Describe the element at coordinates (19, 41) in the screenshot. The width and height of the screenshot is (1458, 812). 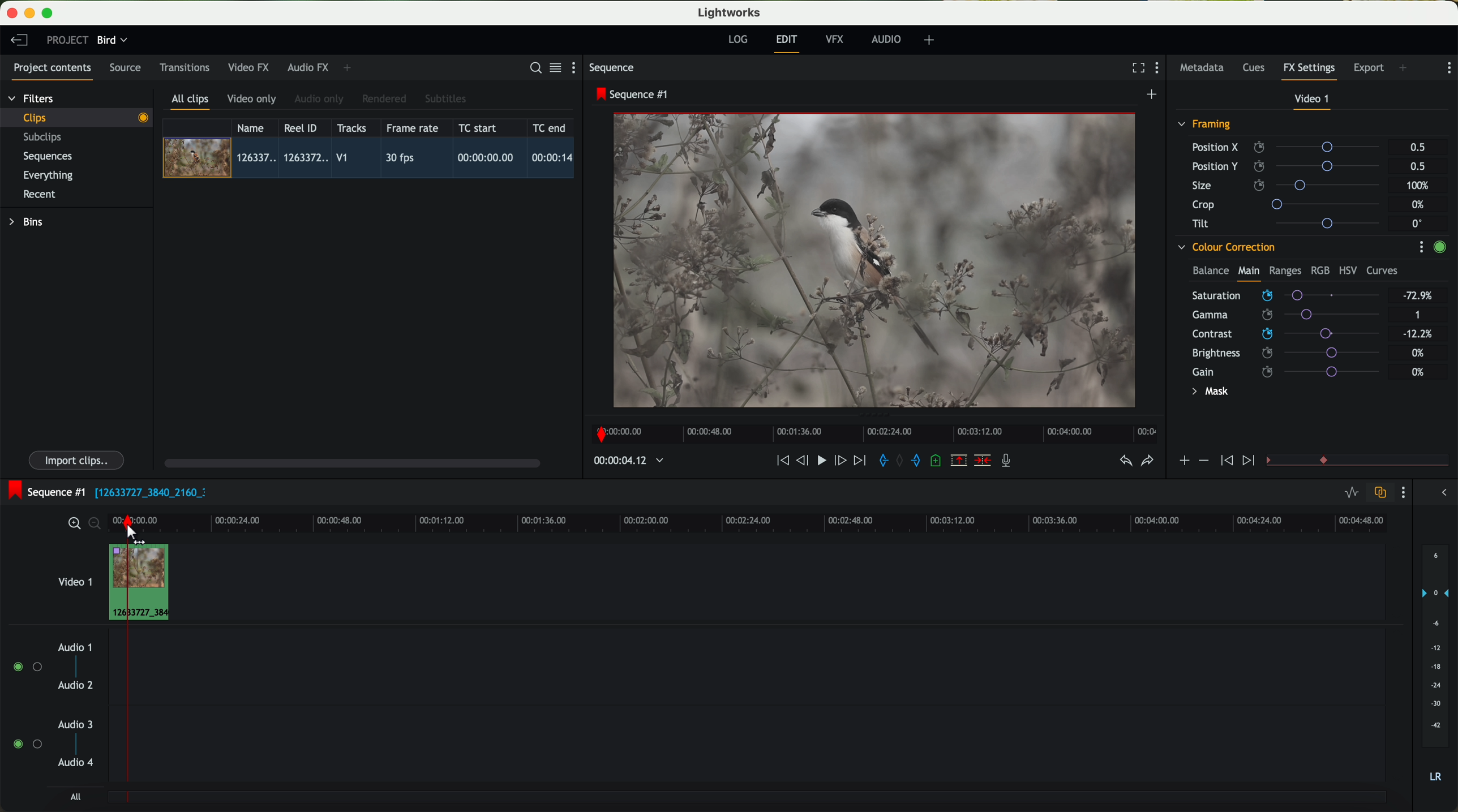
I see `leave` at that location.